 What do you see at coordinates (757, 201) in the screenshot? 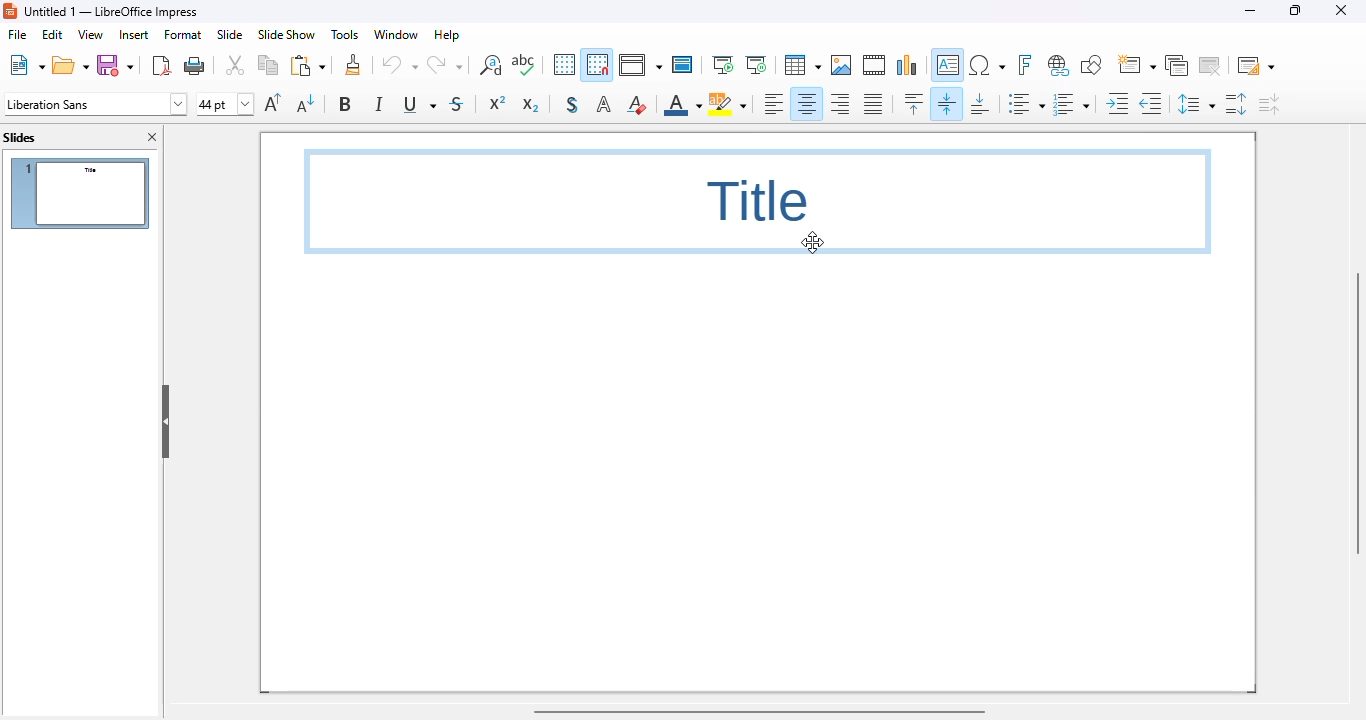
I see `font color of text box changed to blue` at bounding box center [757, 201].